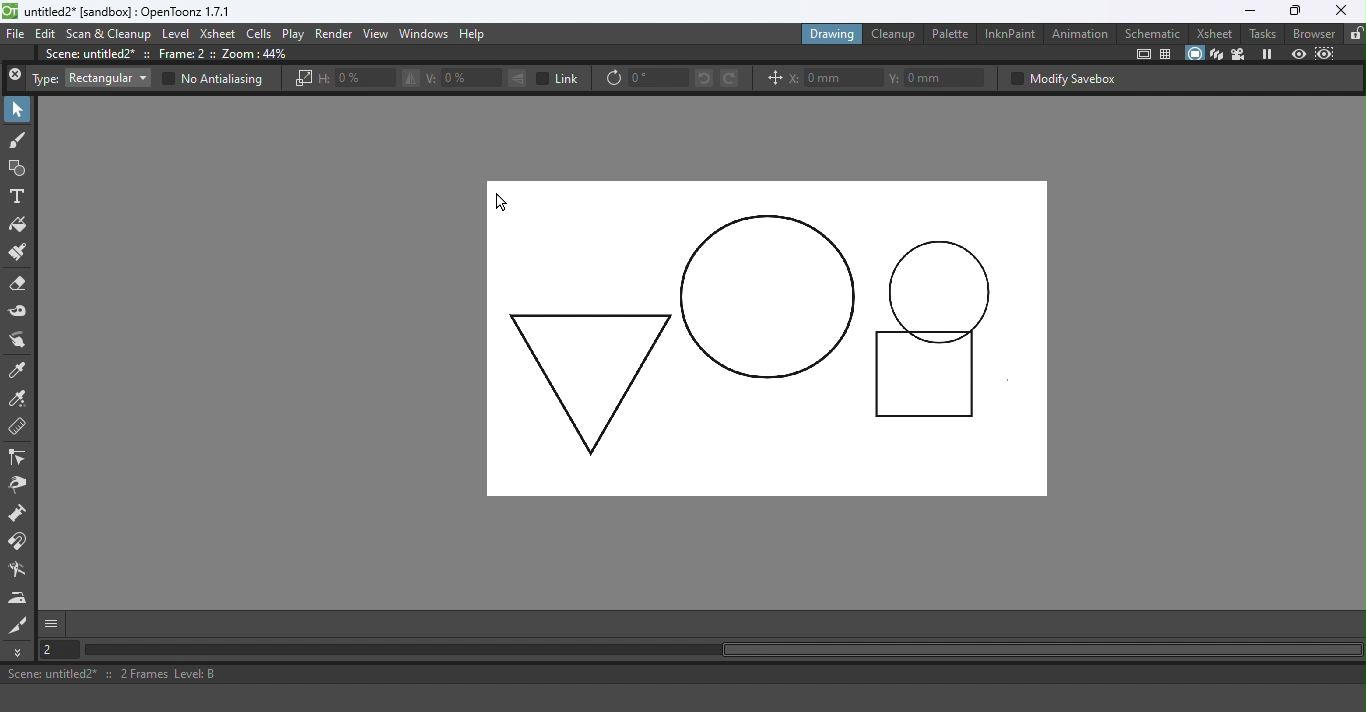 This screenshot has width=1366, height=712. I want to click on Scene: untitled2* :: 2 Frames Level: B, so click(681, 675).